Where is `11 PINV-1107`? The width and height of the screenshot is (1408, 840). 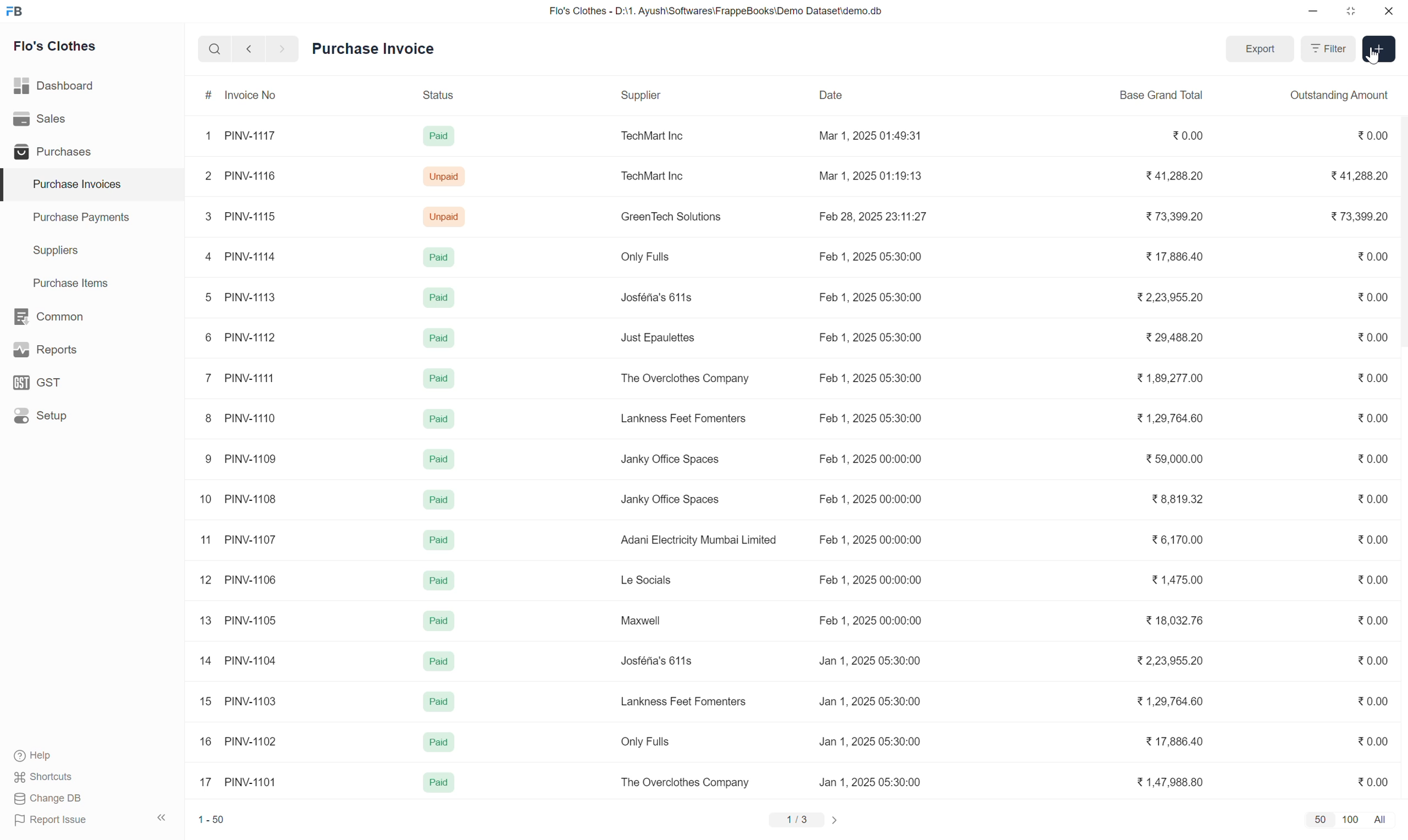
11 PINV-1107 is located at coordinates (239, 540).